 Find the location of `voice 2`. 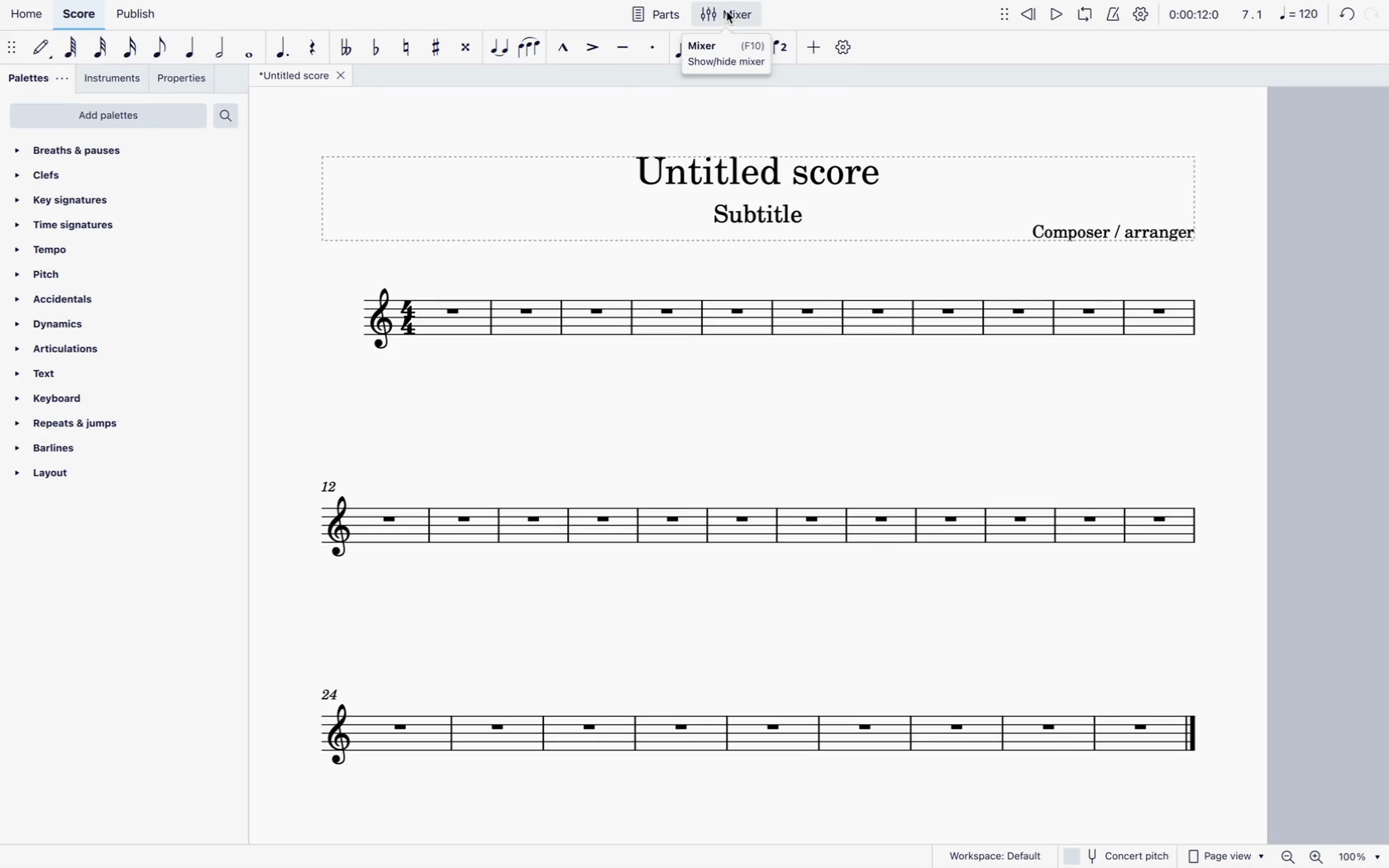

voice 2 is located at coordinates (782, 50).